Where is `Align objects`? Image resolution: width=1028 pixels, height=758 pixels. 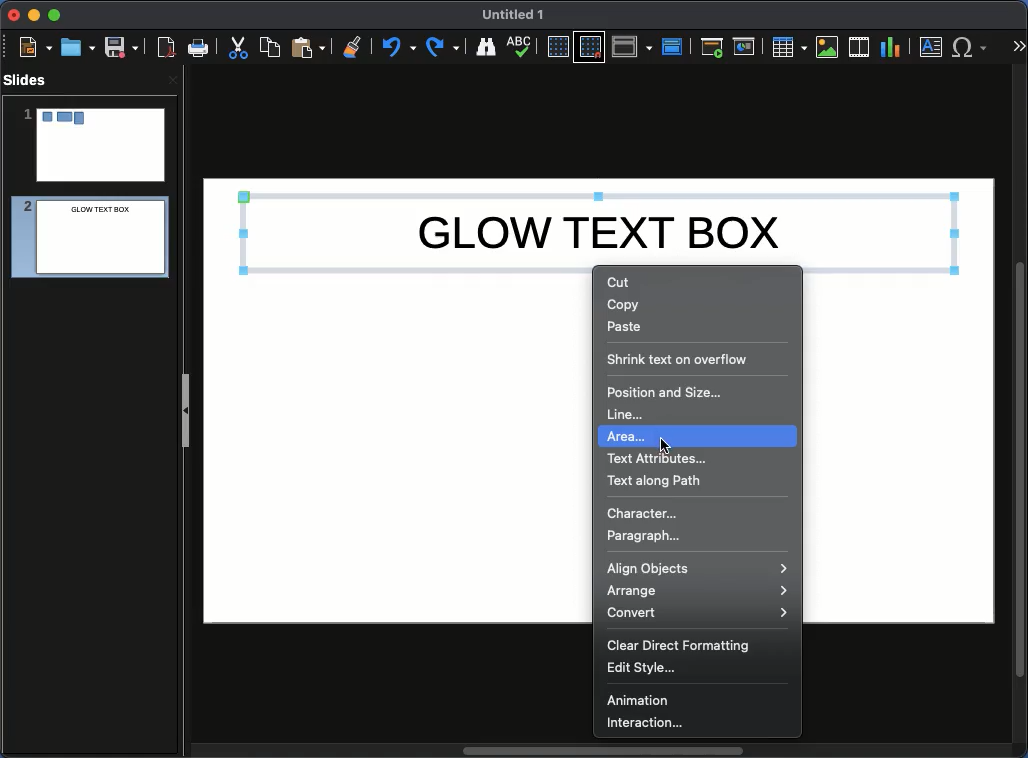 Align objects is located at coordinates (696, 568).